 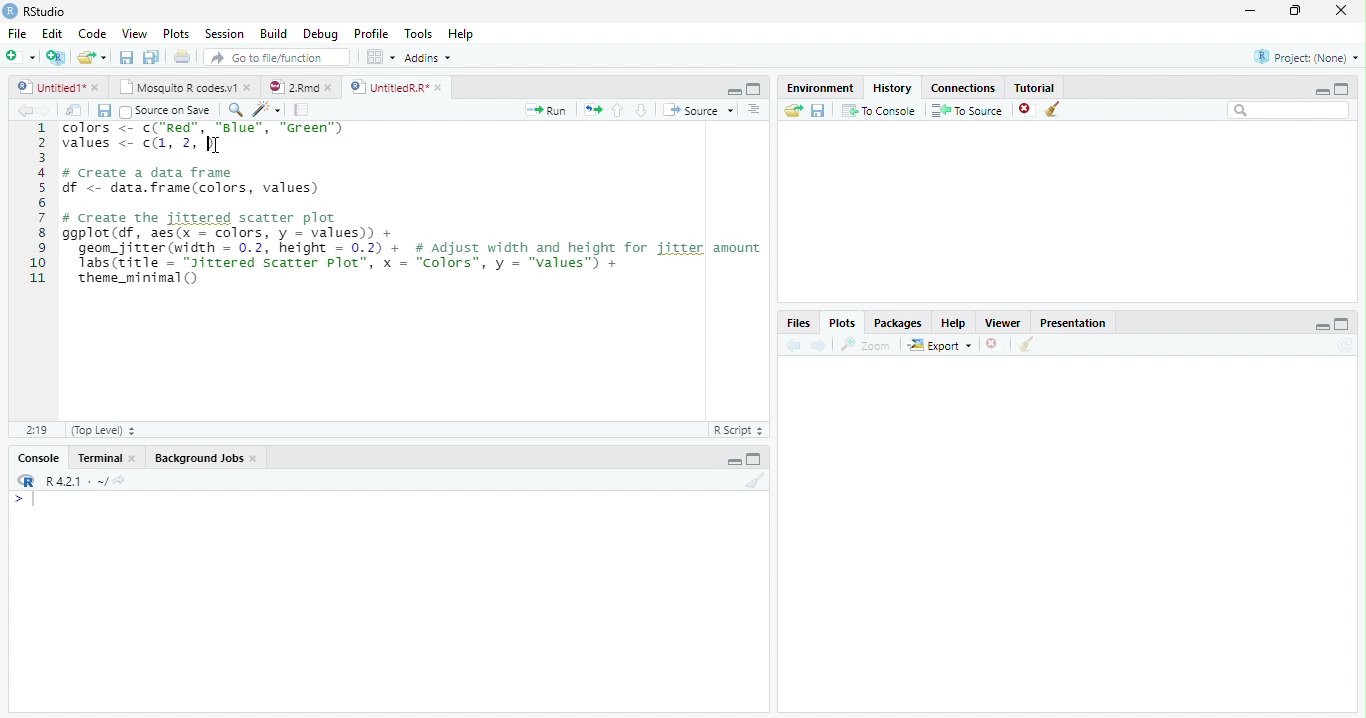 What do you see at coordinates (102, 430) in the screenshot?
I see `(Top Level)` at bounding box center [102, 430].